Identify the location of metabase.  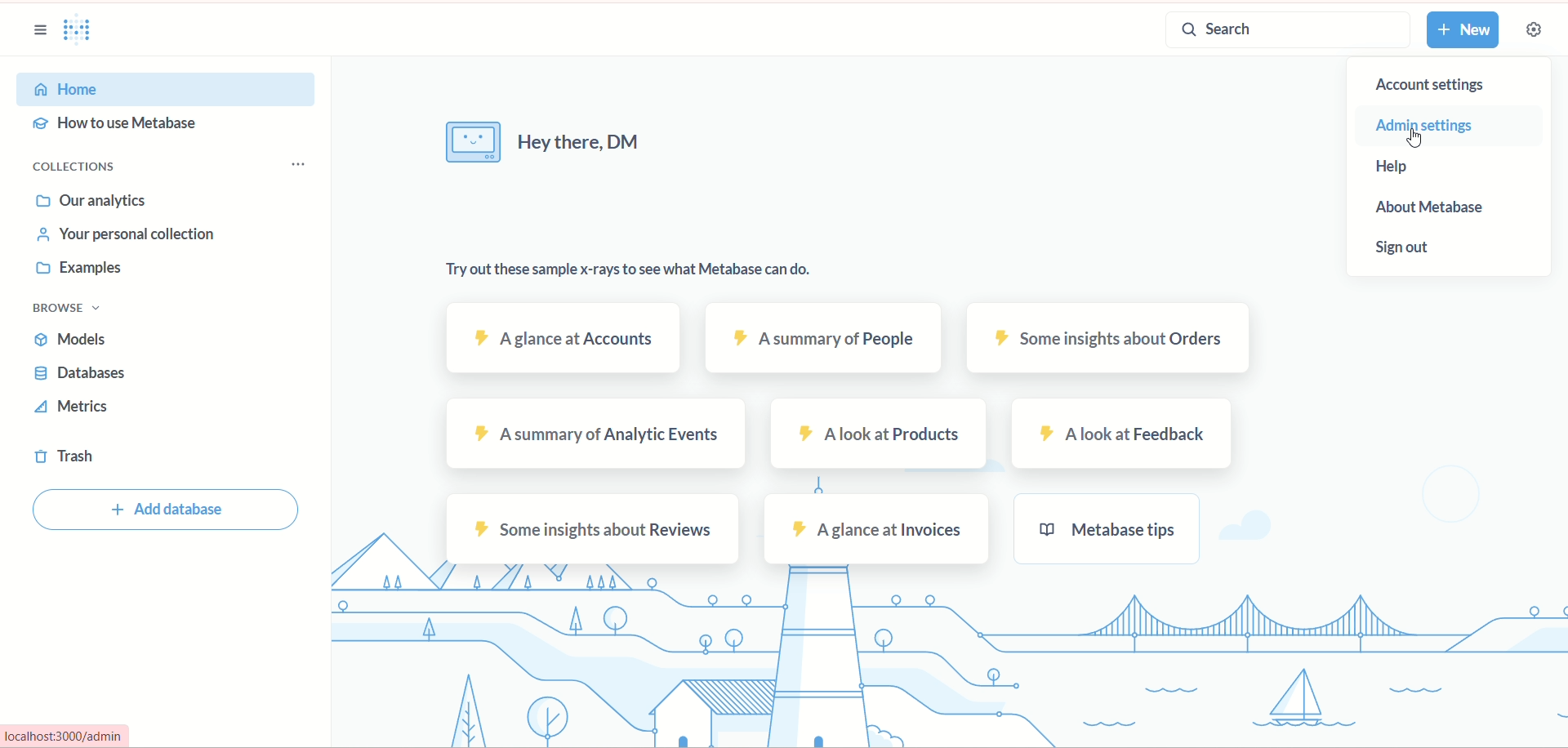
(1107, 528).